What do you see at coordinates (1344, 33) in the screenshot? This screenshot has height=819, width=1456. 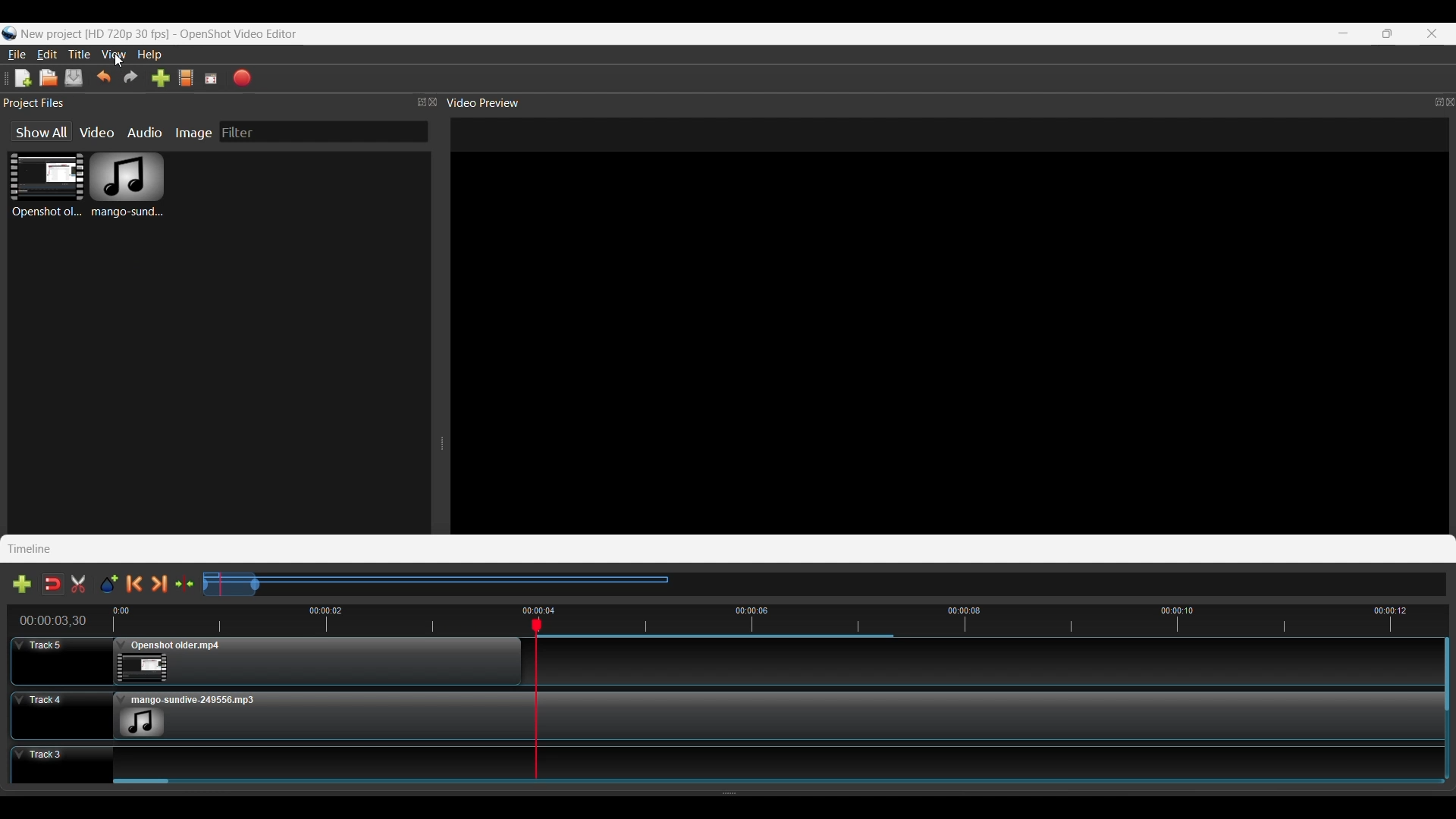 I see `Minimize` at bounding box center [1344, 33].